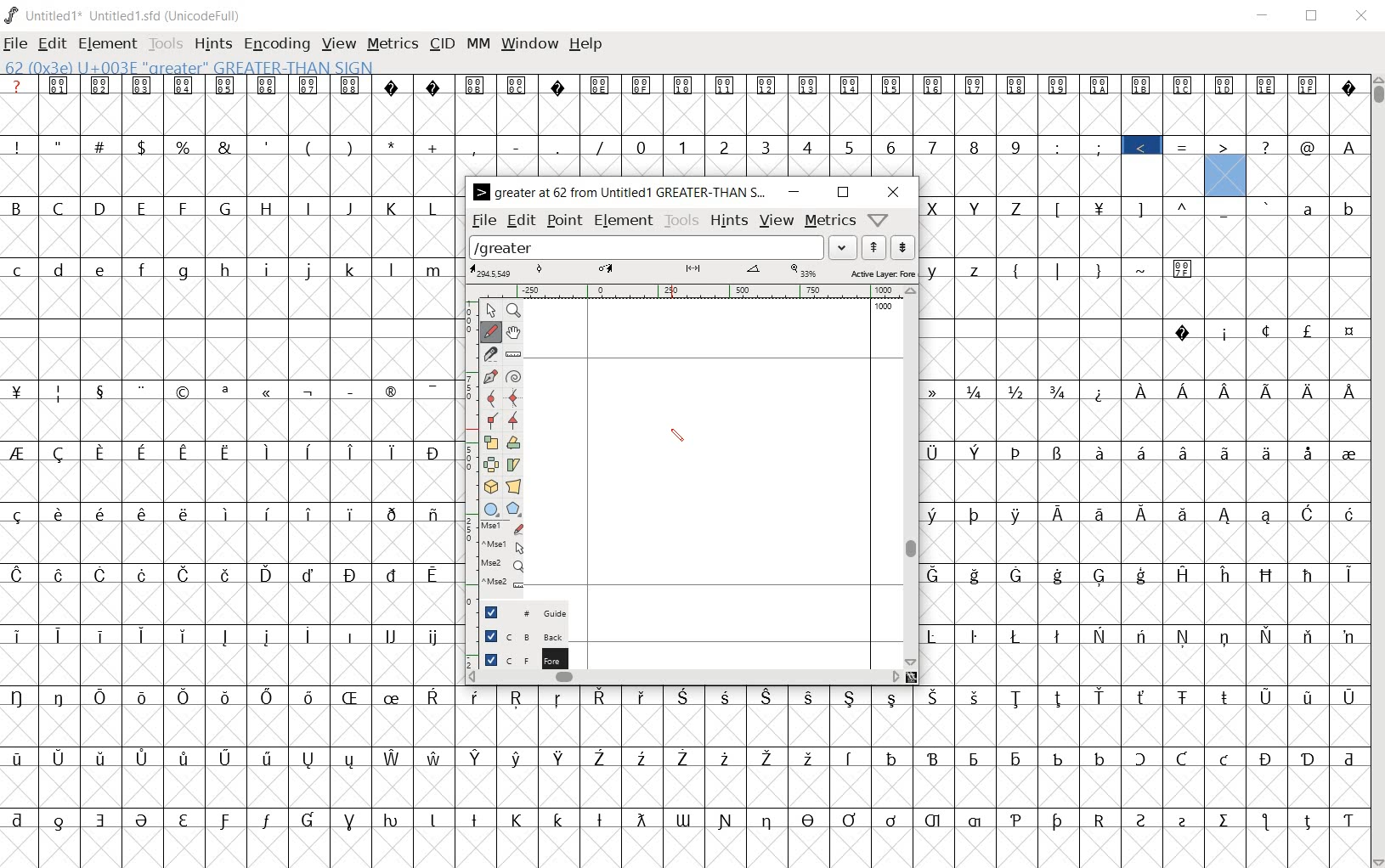  What do you see at coordinates (441, 42) in the screenshot?
I see `cid` at bounding box center [441, 42].